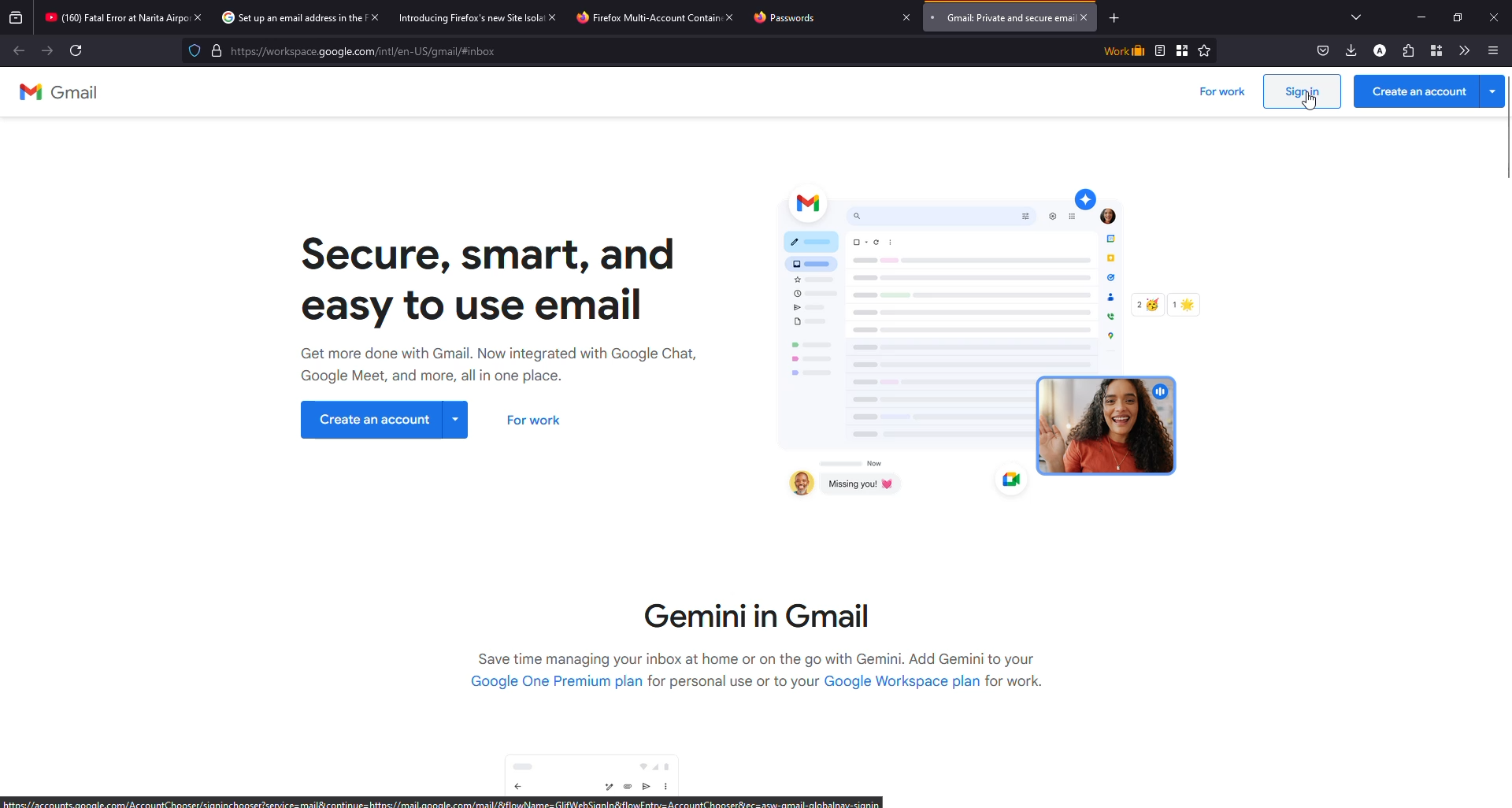  I want to click on create account, so click(384, 419).